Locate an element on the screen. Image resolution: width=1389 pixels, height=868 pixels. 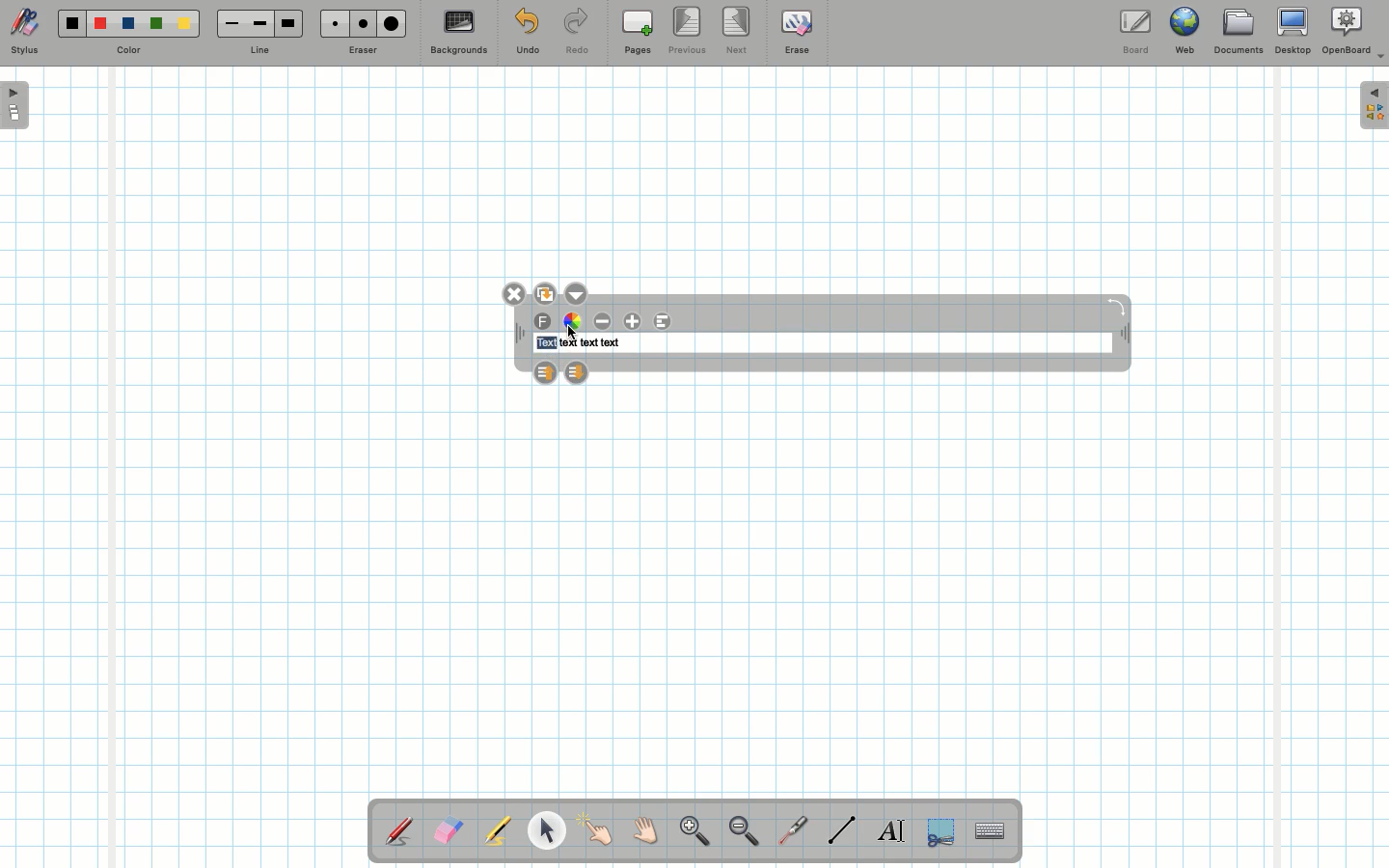
text is located at coordinates (589, 343).